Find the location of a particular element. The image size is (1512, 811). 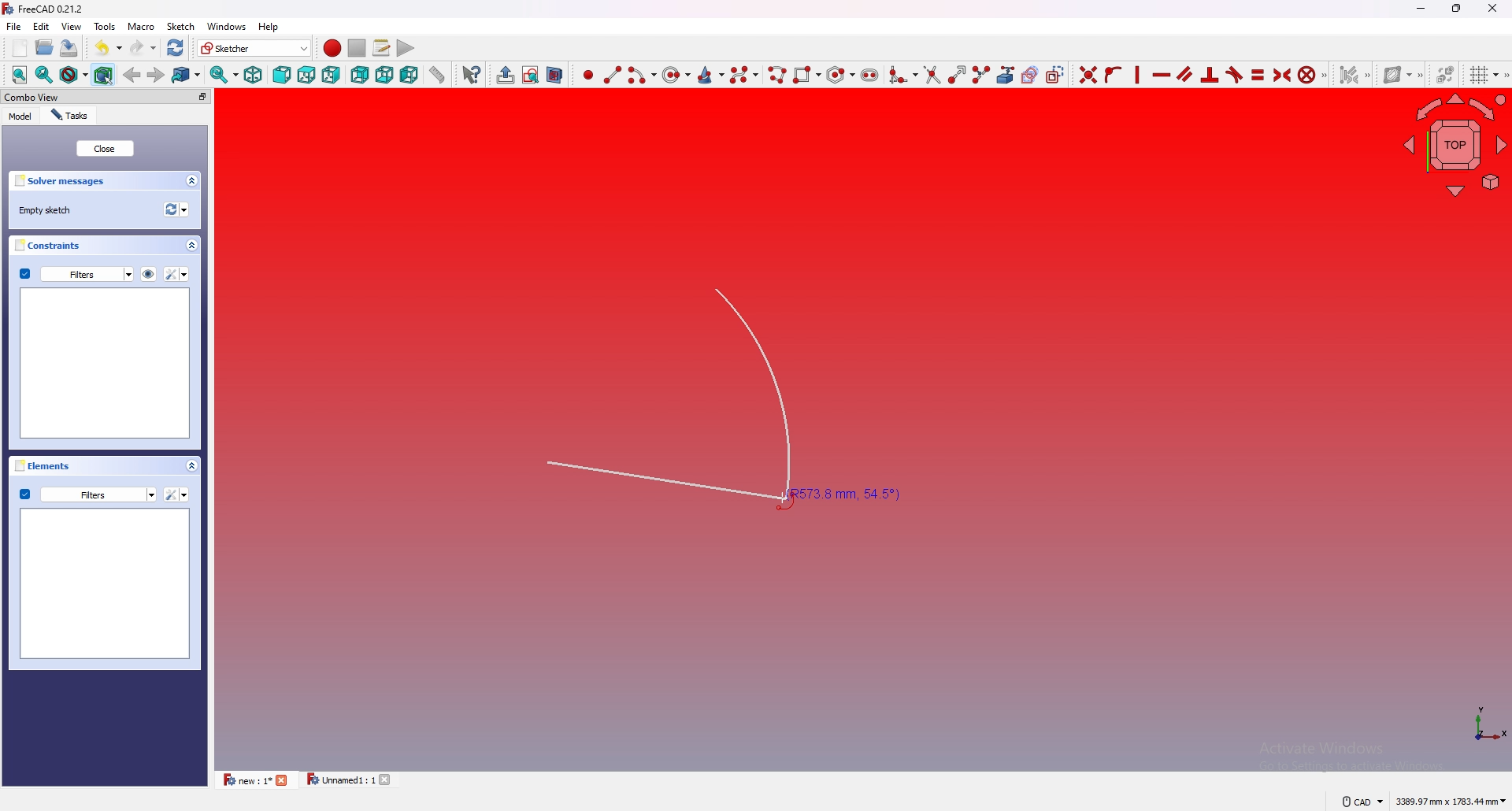

navigating cube is located at coordinates (1455, 143).